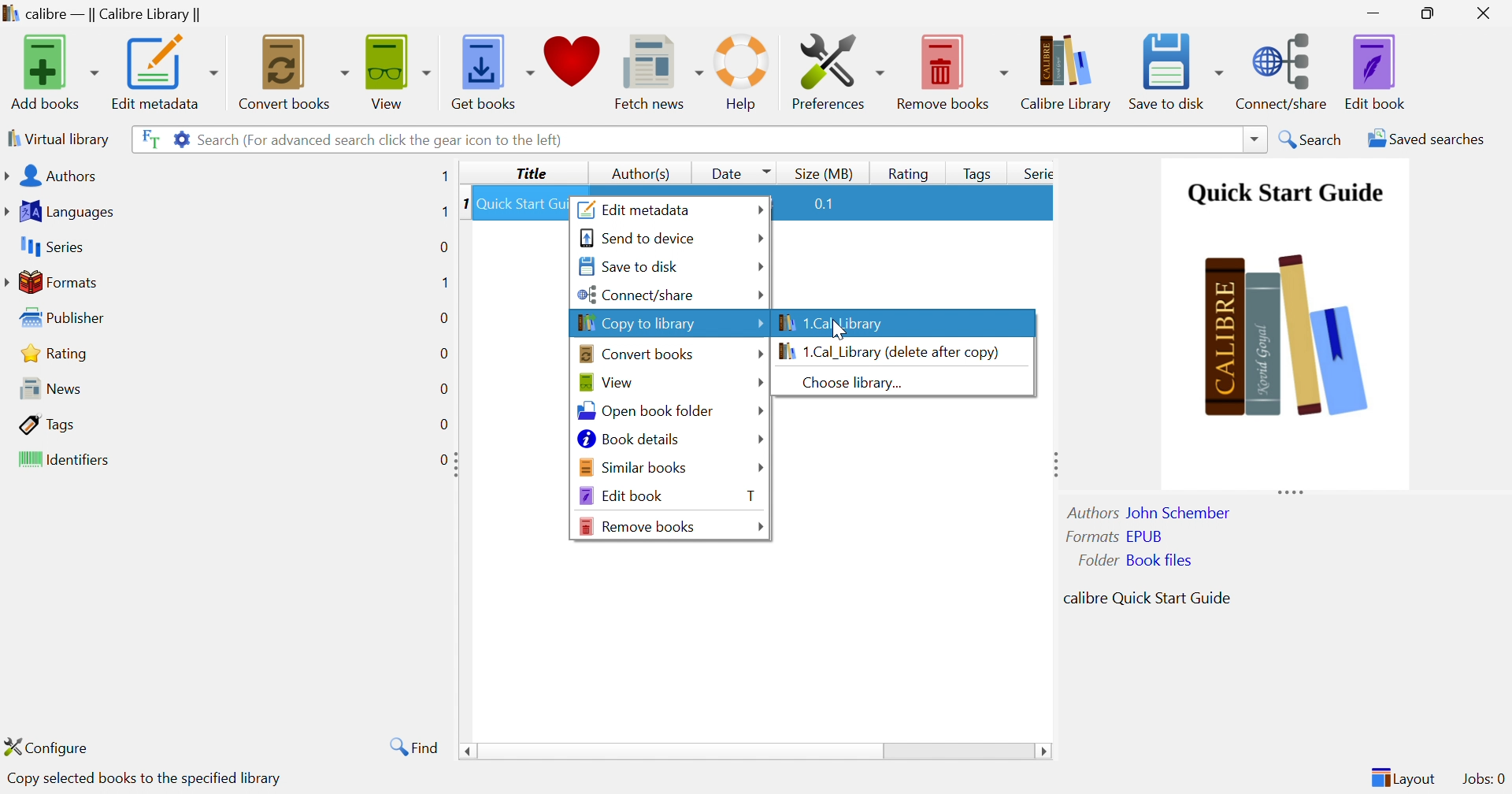 The width and height of the screenshot is (1512, 794). Describe the element at coordinates (1151, 511) in the screenshot. I see `Authors: John Schember` at that location.